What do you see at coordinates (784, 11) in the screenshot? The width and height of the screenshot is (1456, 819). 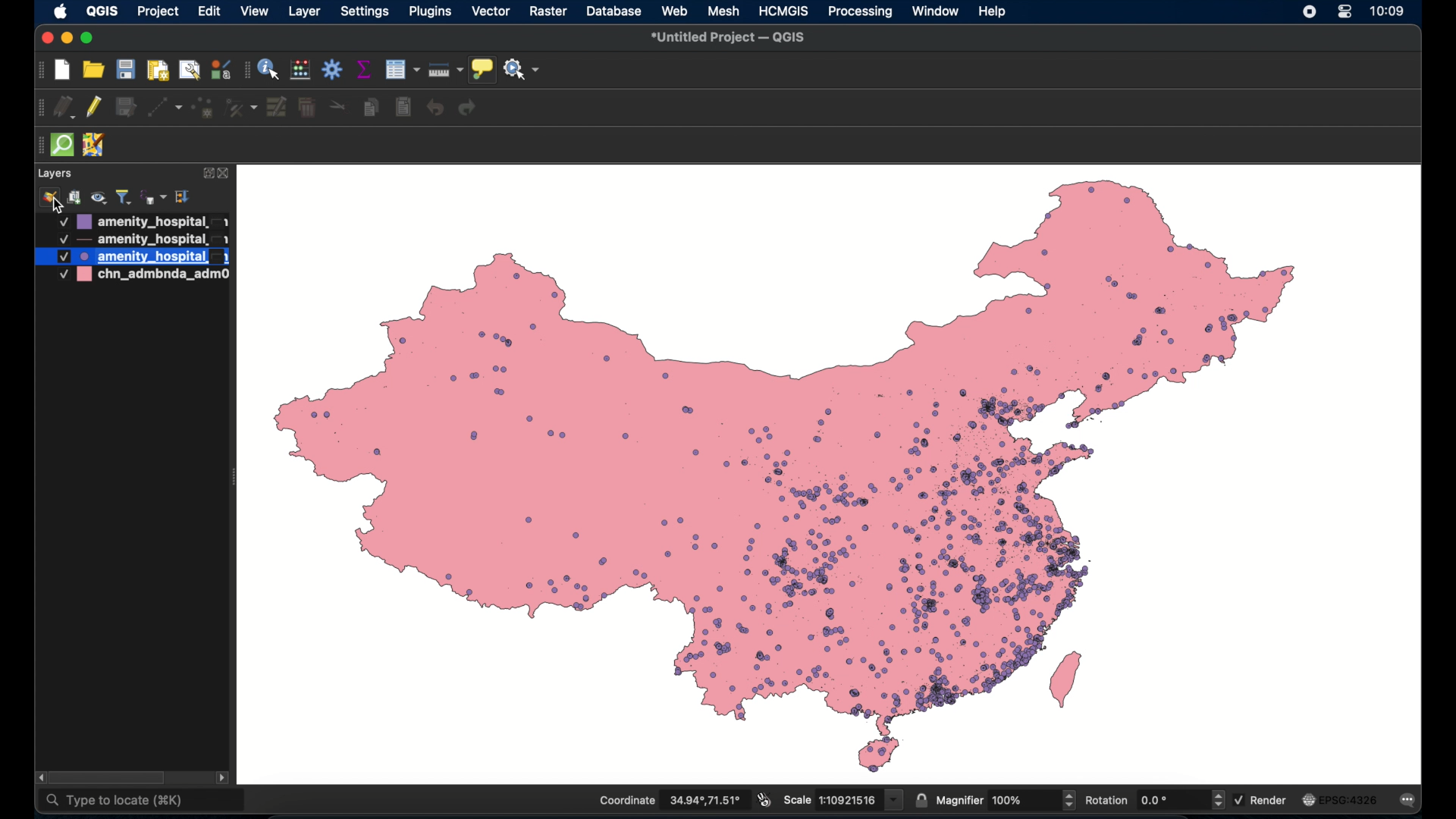 I see `HCMGIS` at bounding box center [784, 11].